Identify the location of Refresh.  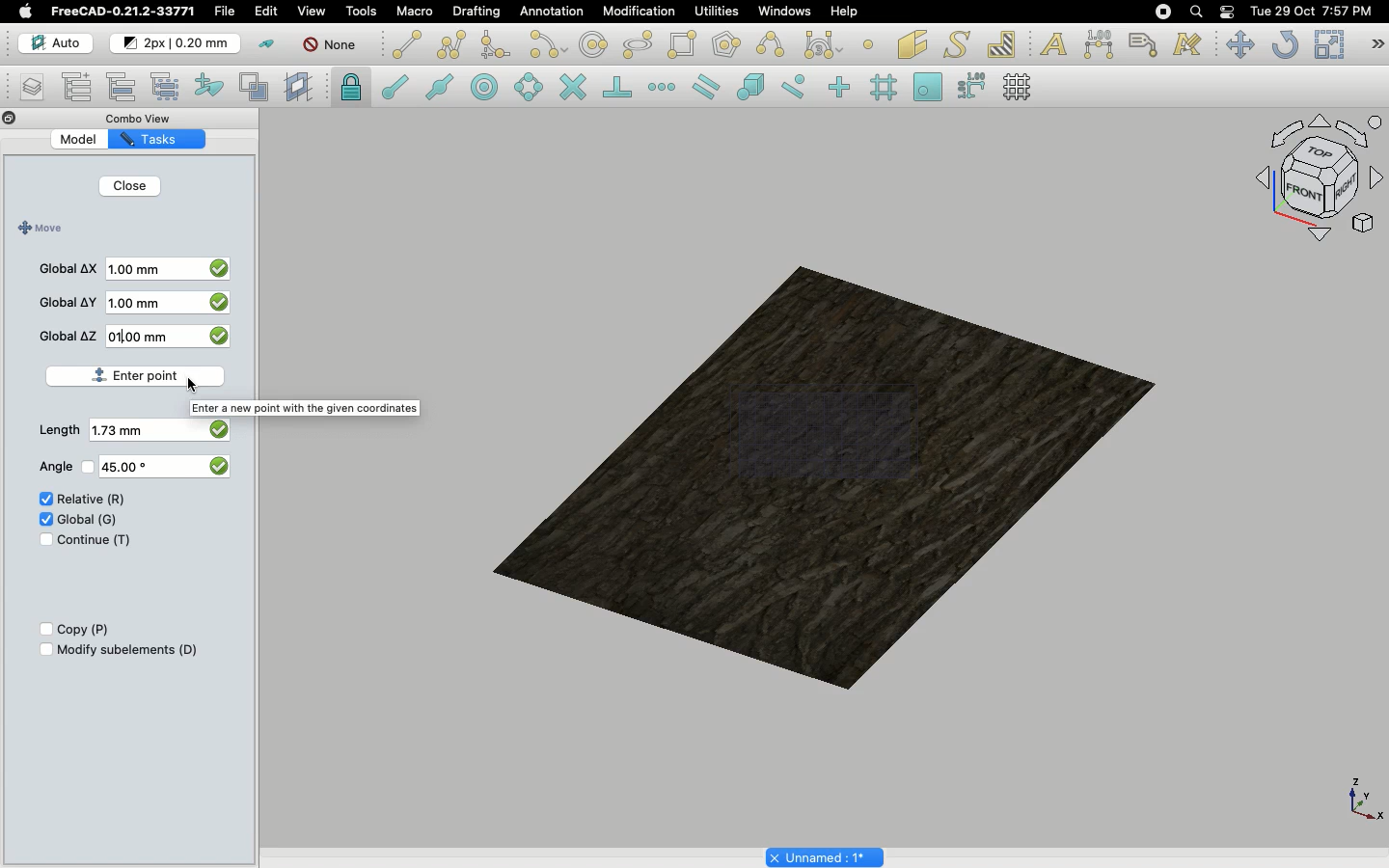
(1285, 46).